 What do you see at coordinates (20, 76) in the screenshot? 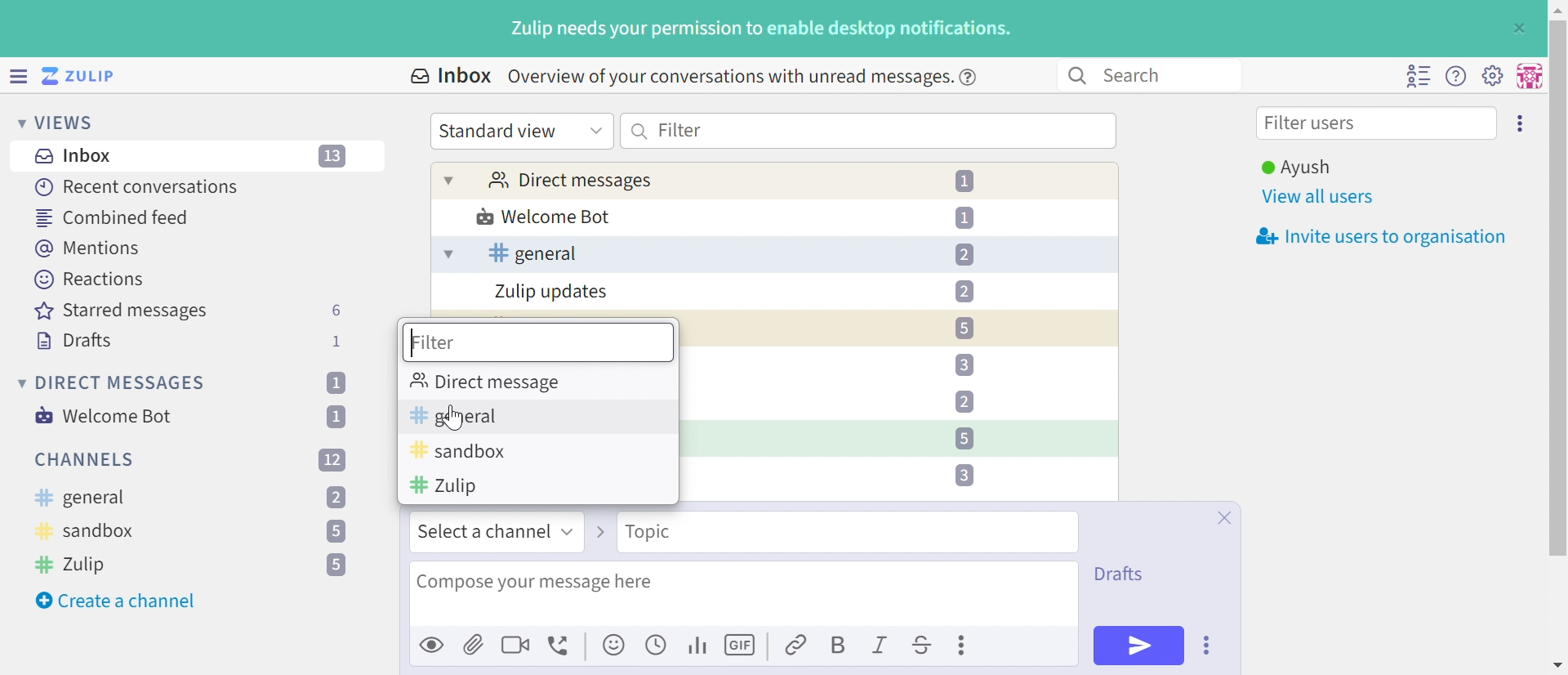
I see `Hide left sidebar` at bounding box center [20, 76].